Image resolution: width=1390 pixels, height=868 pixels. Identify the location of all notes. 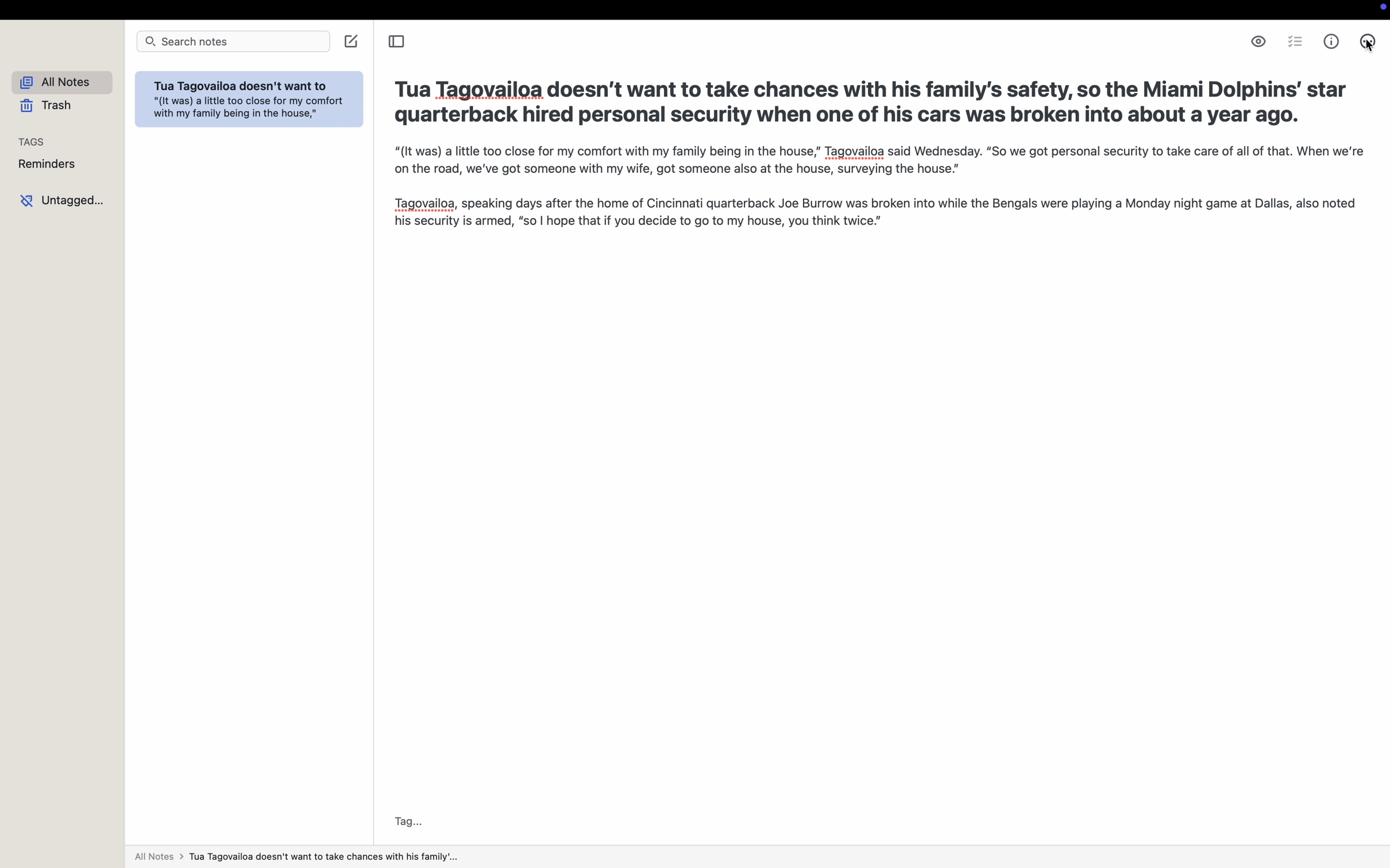
(57, 82).